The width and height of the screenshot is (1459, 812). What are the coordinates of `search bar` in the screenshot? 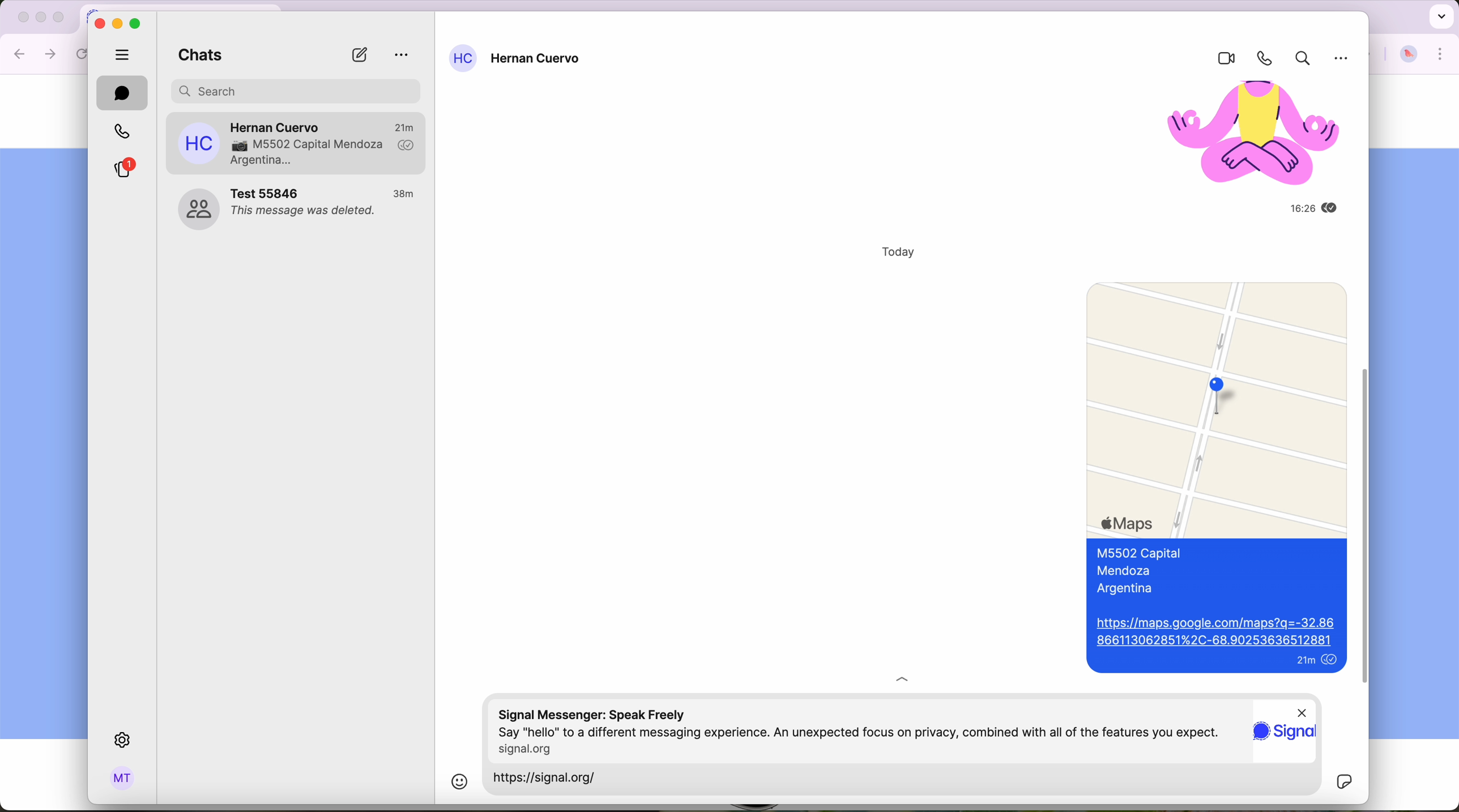 It's located at (297, 89).